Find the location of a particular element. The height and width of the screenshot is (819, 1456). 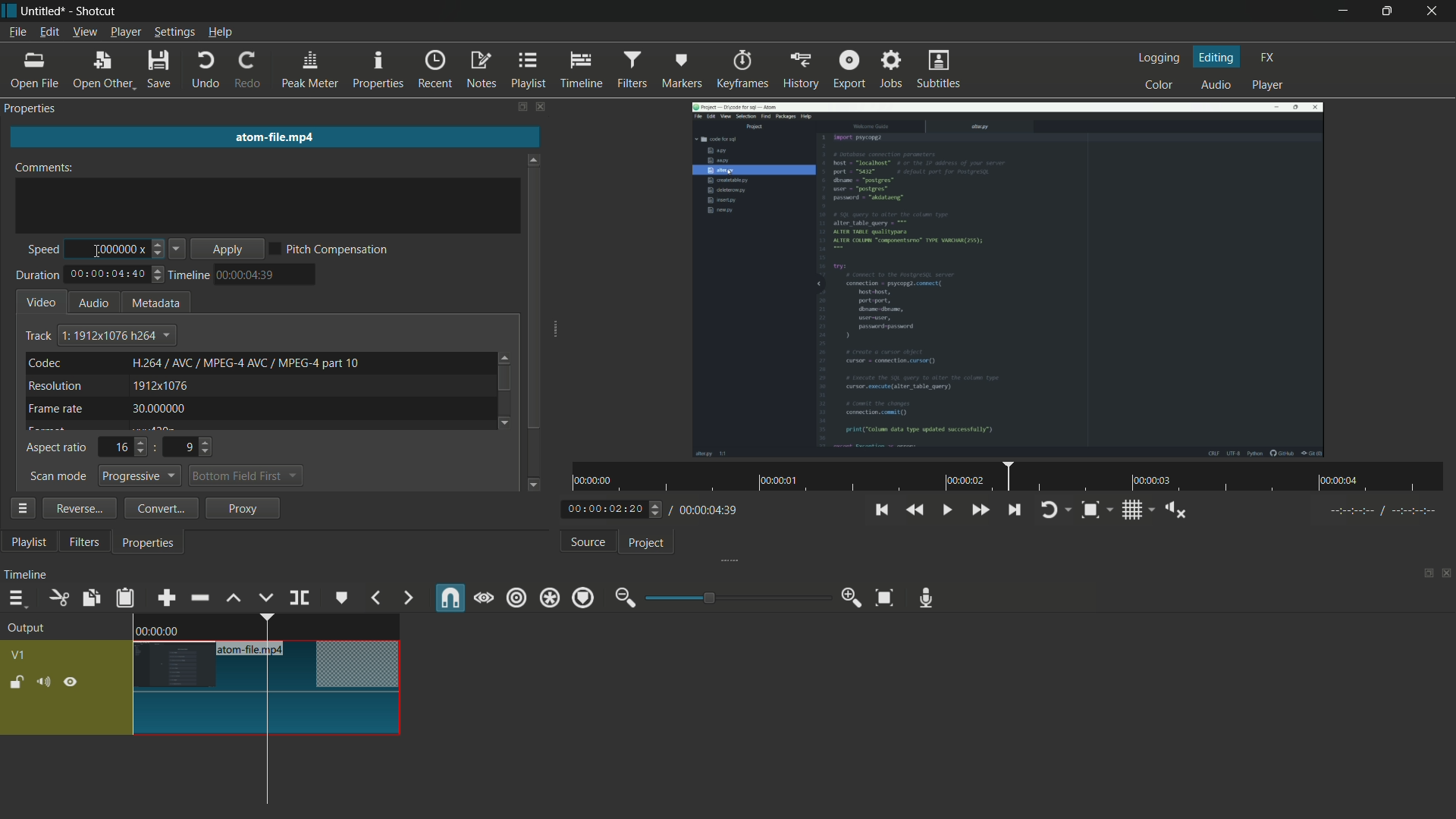

timeline is located at coordinates (187, 276).